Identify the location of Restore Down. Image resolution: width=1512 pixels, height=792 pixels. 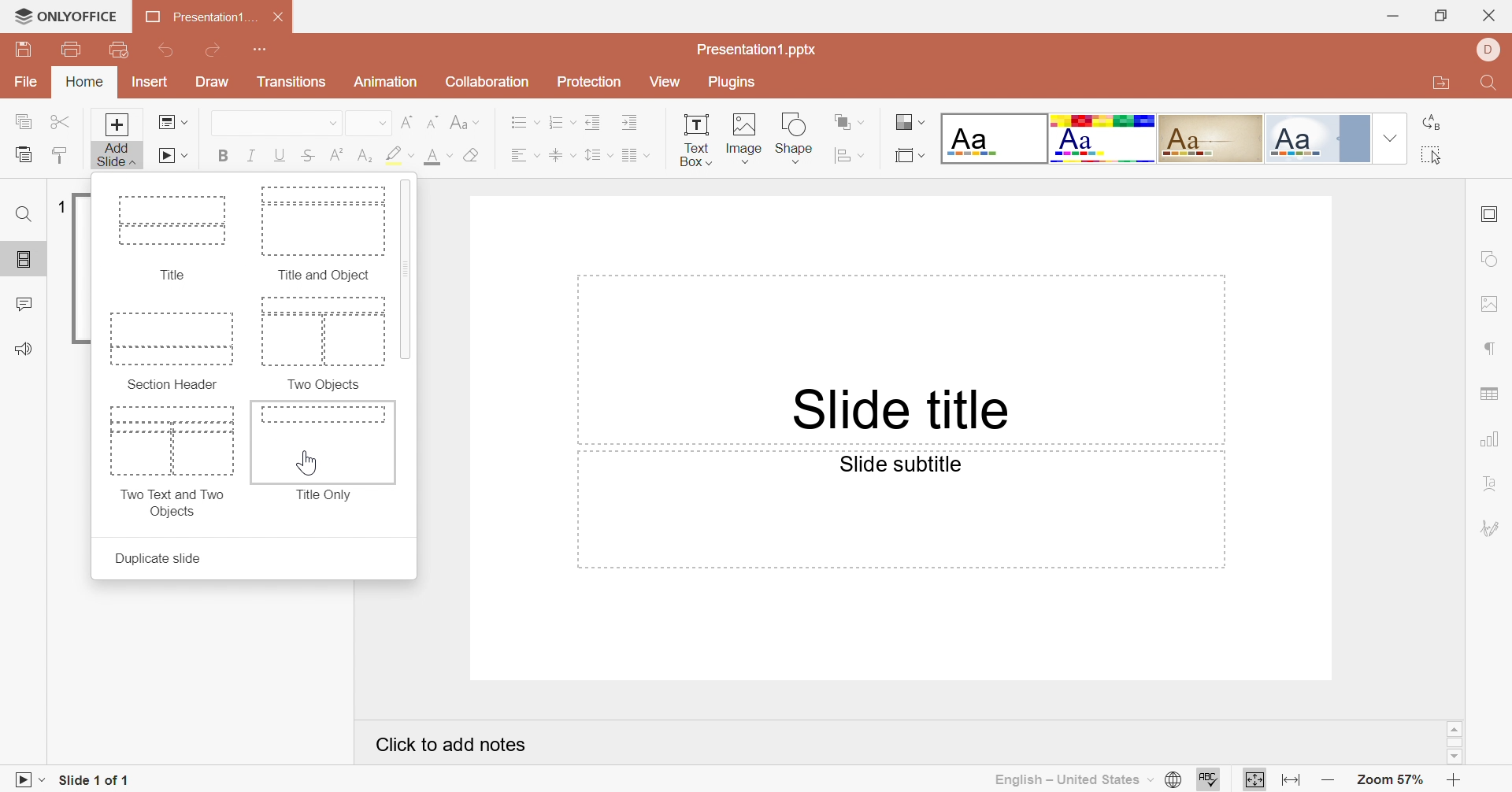
(1440, 18).